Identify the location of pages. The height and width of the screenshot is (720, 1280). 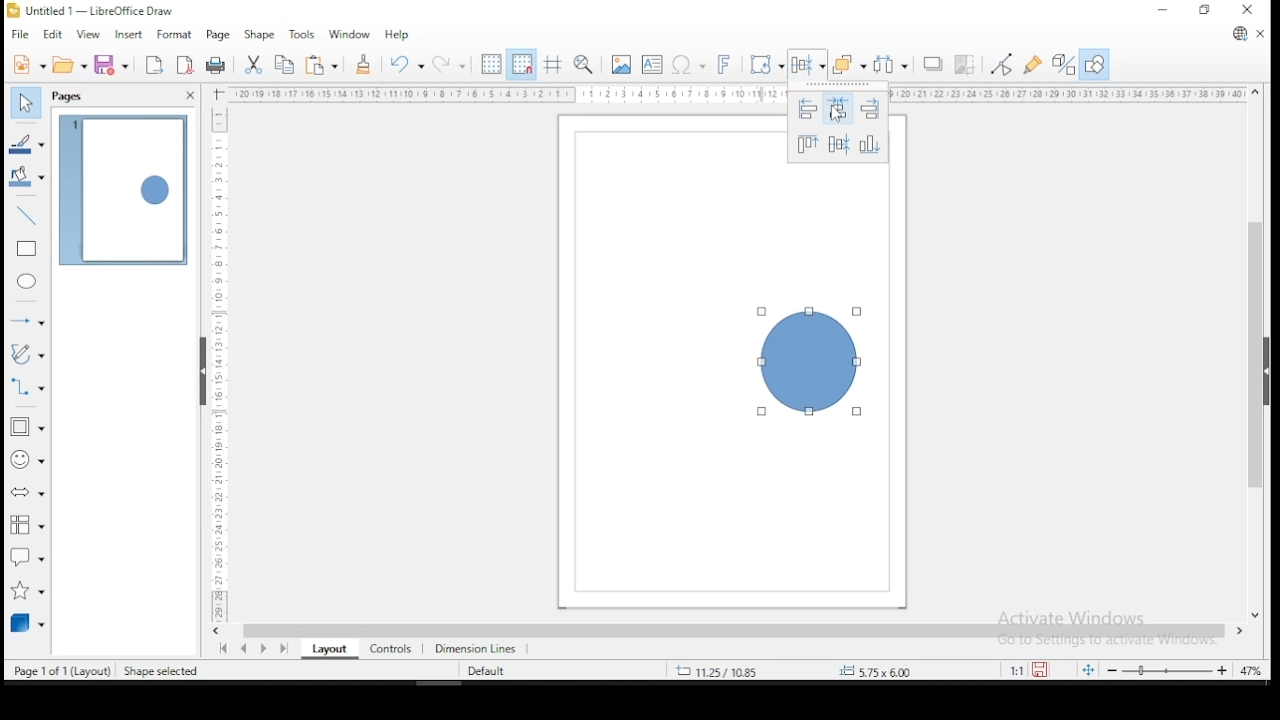
(70, 97).